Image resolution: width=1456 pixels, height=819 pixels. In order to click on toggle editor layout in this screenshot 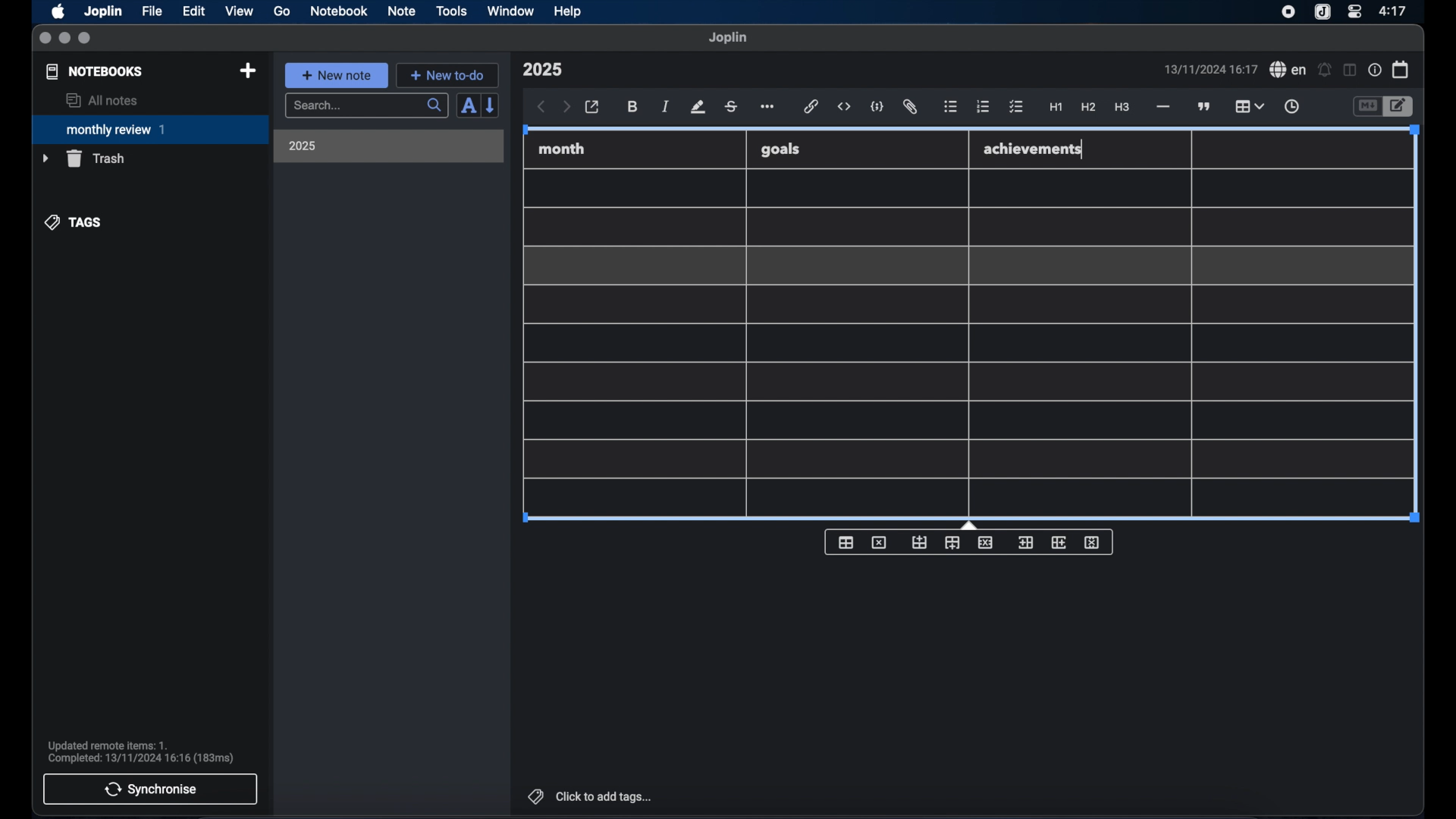, I will do `click(1351, 70)`.